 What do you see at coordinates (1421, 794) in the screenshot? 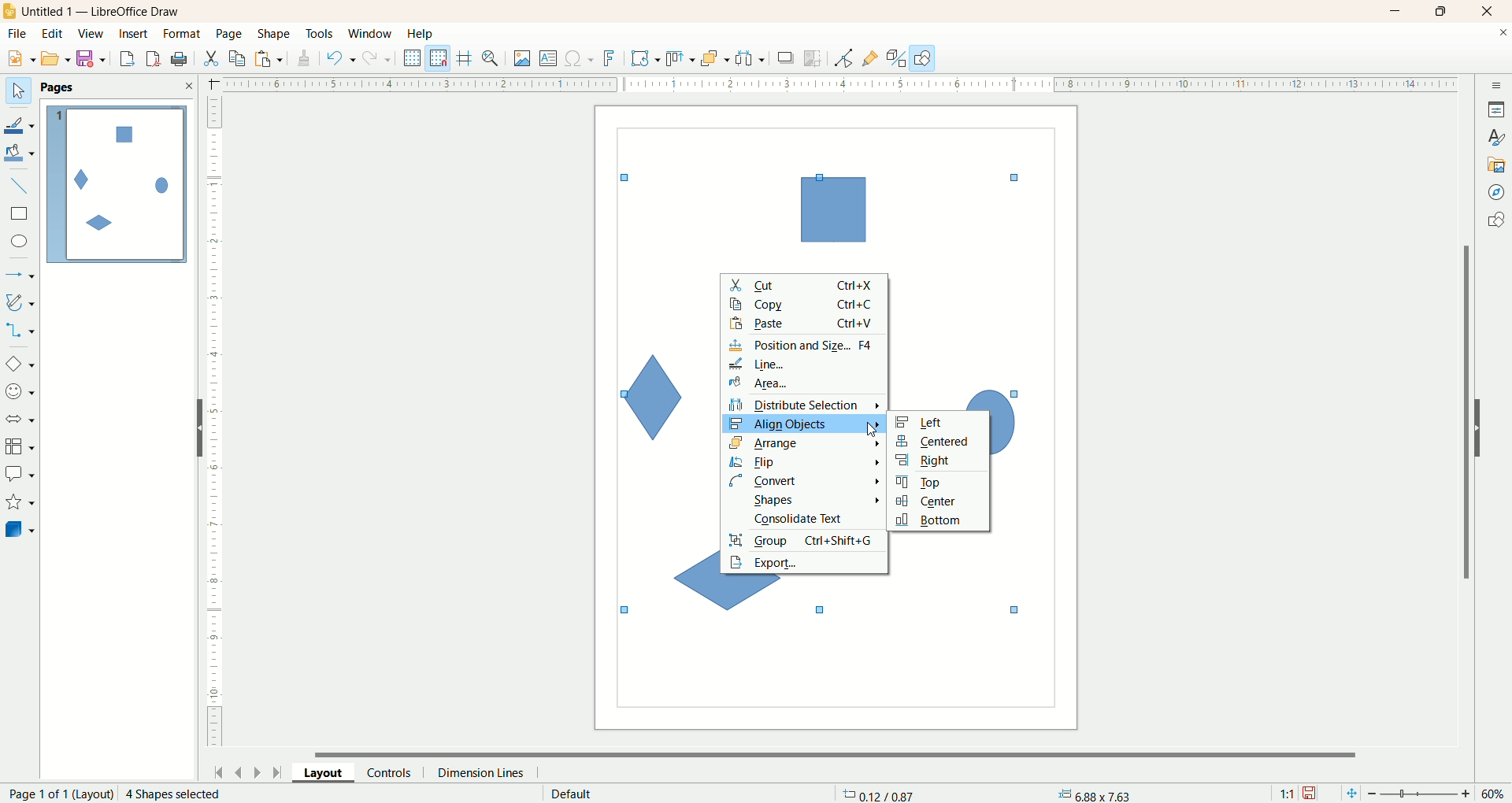
I see `zoom factor` at bounding box center [1421, 794].